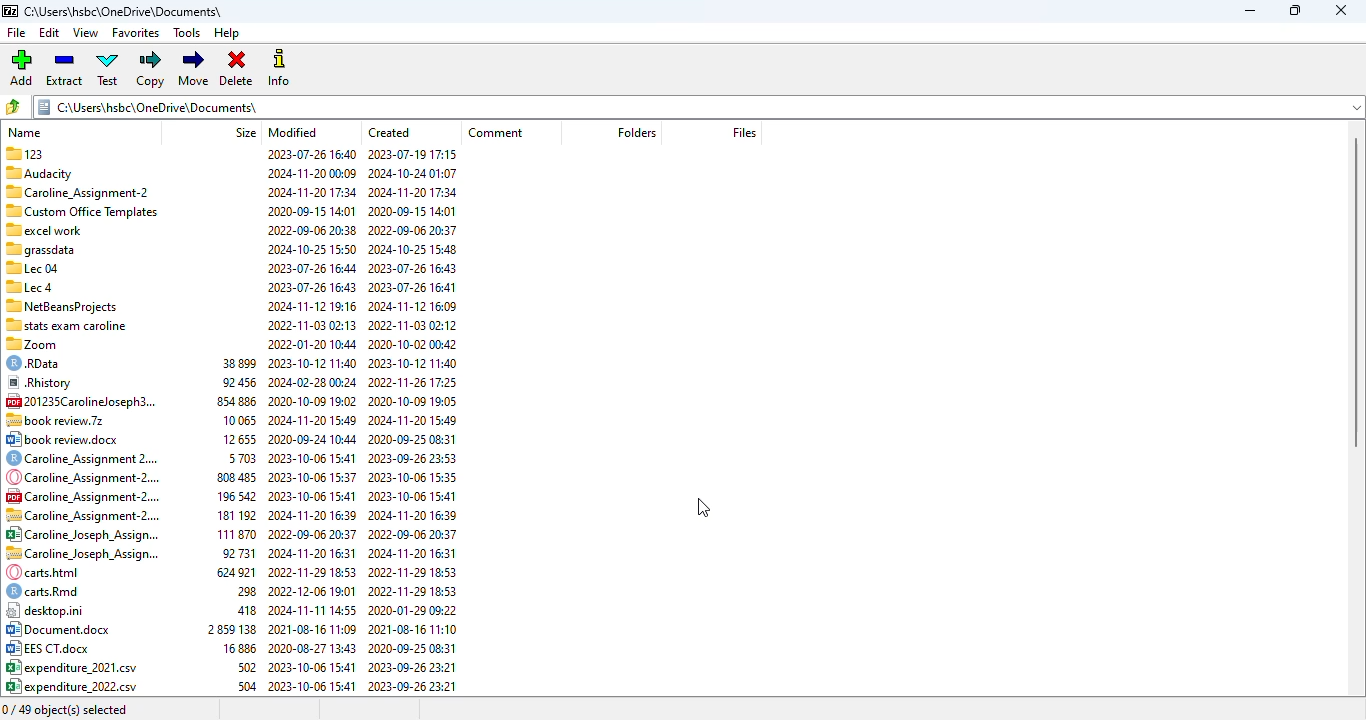  What do you see at coordinates (229, 267) in the screenshot?
I see `| ®lleca 2023-07-26 16:43 2023-07-26 16:41` at bounding box center [229, 267].